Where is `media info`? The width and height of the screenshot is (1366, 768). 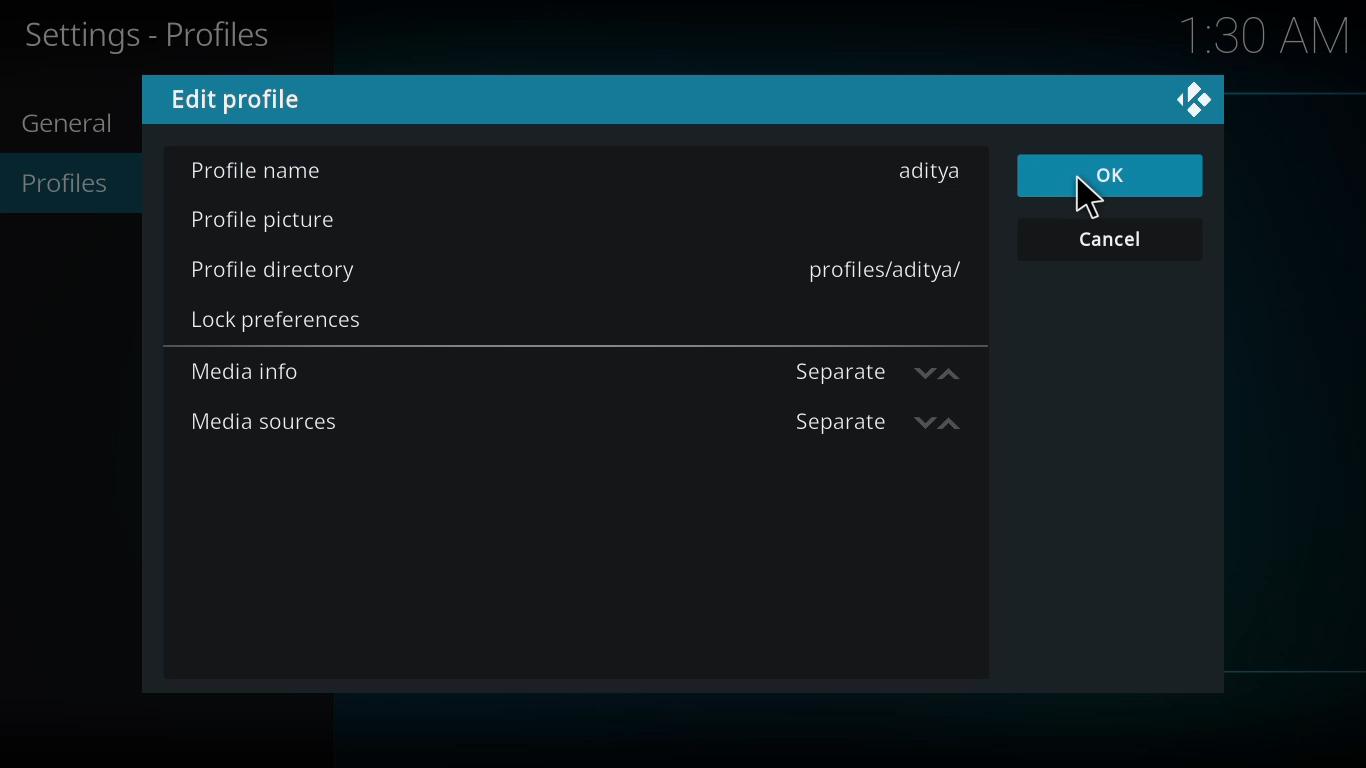
media info is located at coordinates (255, 370).